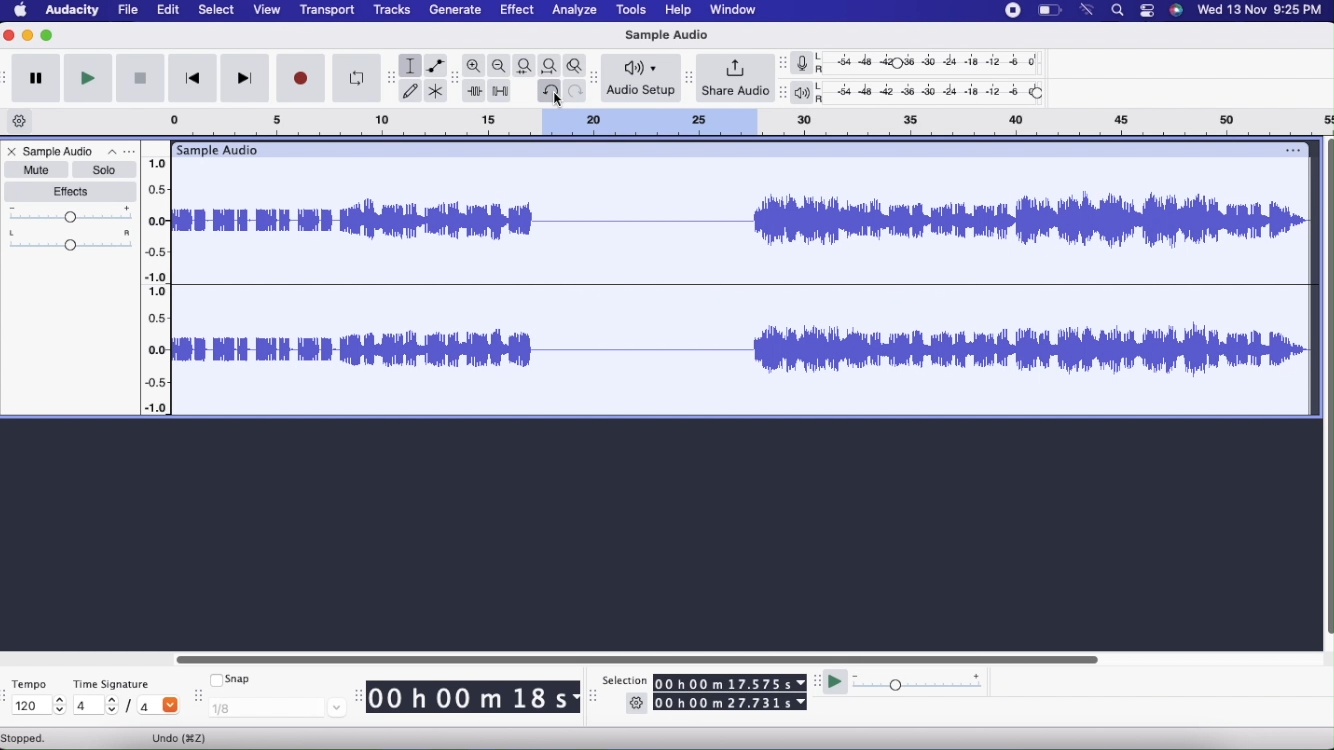  Describe the element at coordinates (738, 123) in the screenshot. I see `Click and drag to define a looping region` at that location.